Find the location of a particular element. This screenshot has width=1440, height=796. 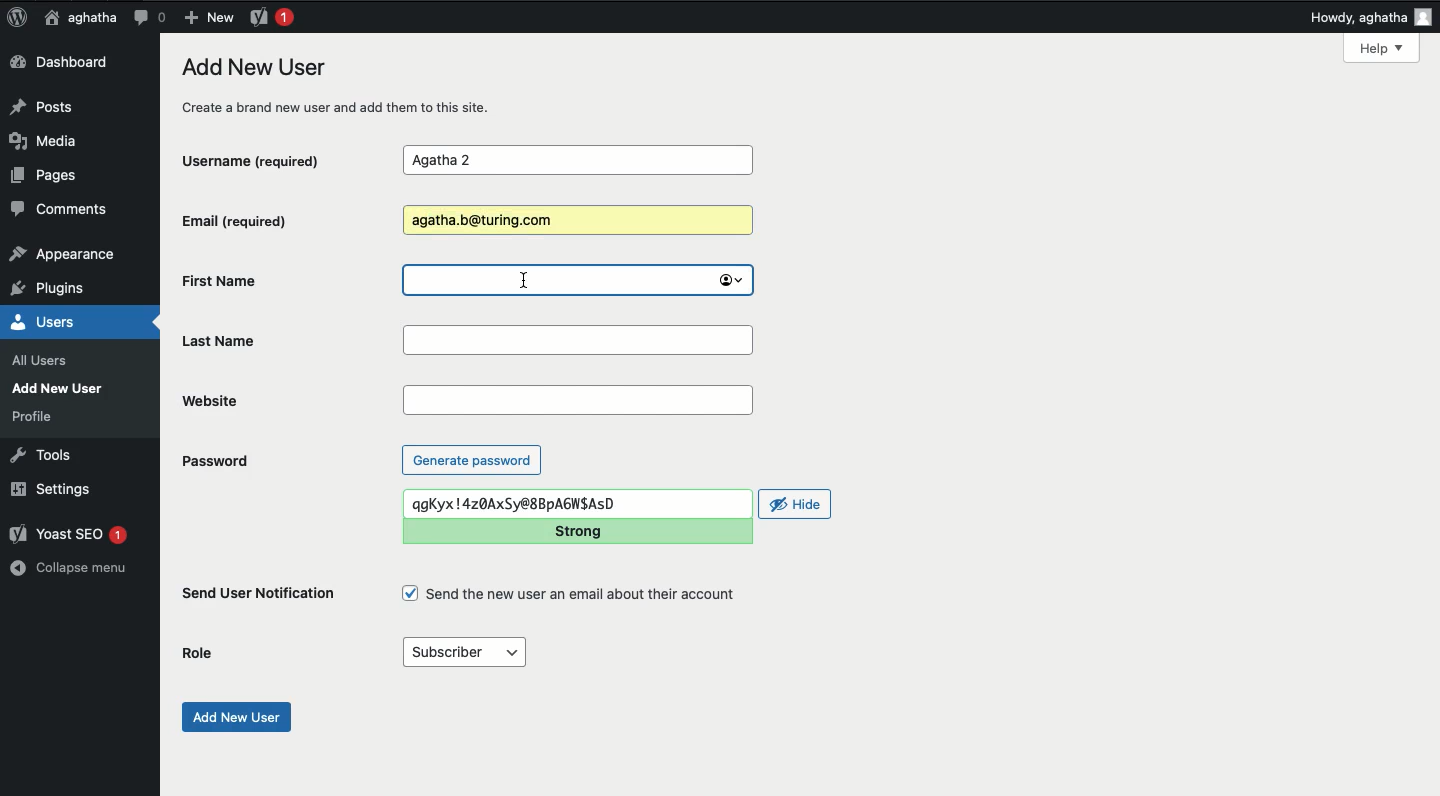

Add new user is located at coordinates (234, 717).